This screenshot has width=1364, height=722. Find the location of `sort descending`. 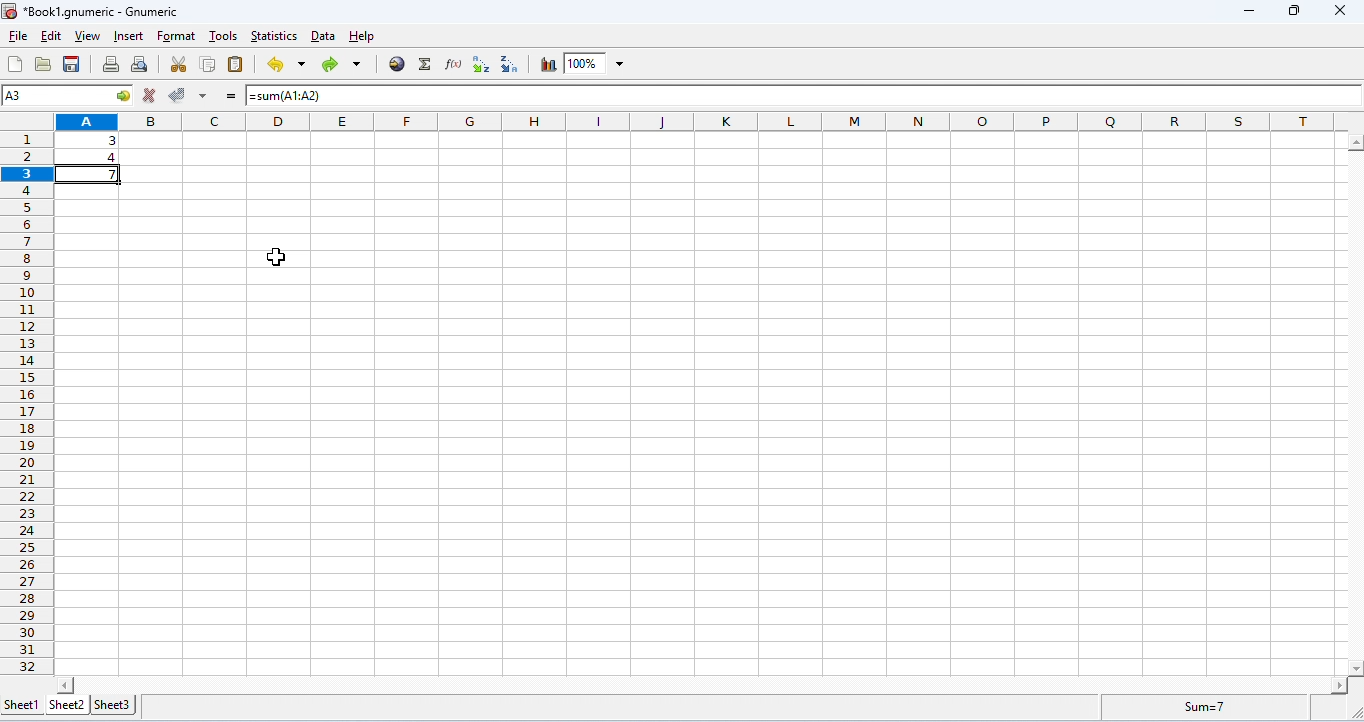

sort descending is located at coordinates (510, 66).